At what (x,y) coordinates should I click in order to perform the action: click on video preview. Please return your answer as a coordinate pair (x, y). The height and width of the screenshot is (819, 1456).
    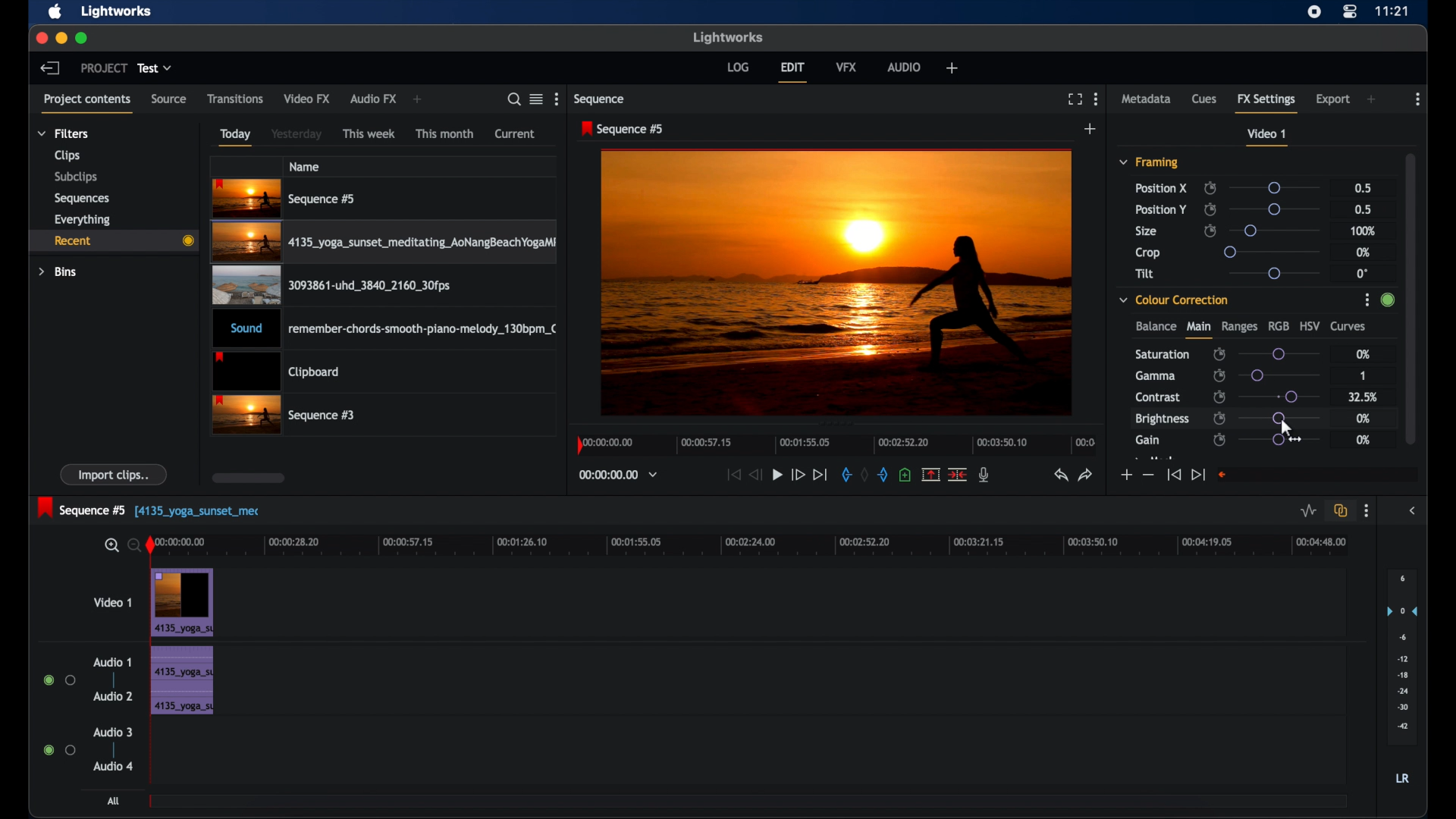
    Looking at the image, I should click on (836, 284).